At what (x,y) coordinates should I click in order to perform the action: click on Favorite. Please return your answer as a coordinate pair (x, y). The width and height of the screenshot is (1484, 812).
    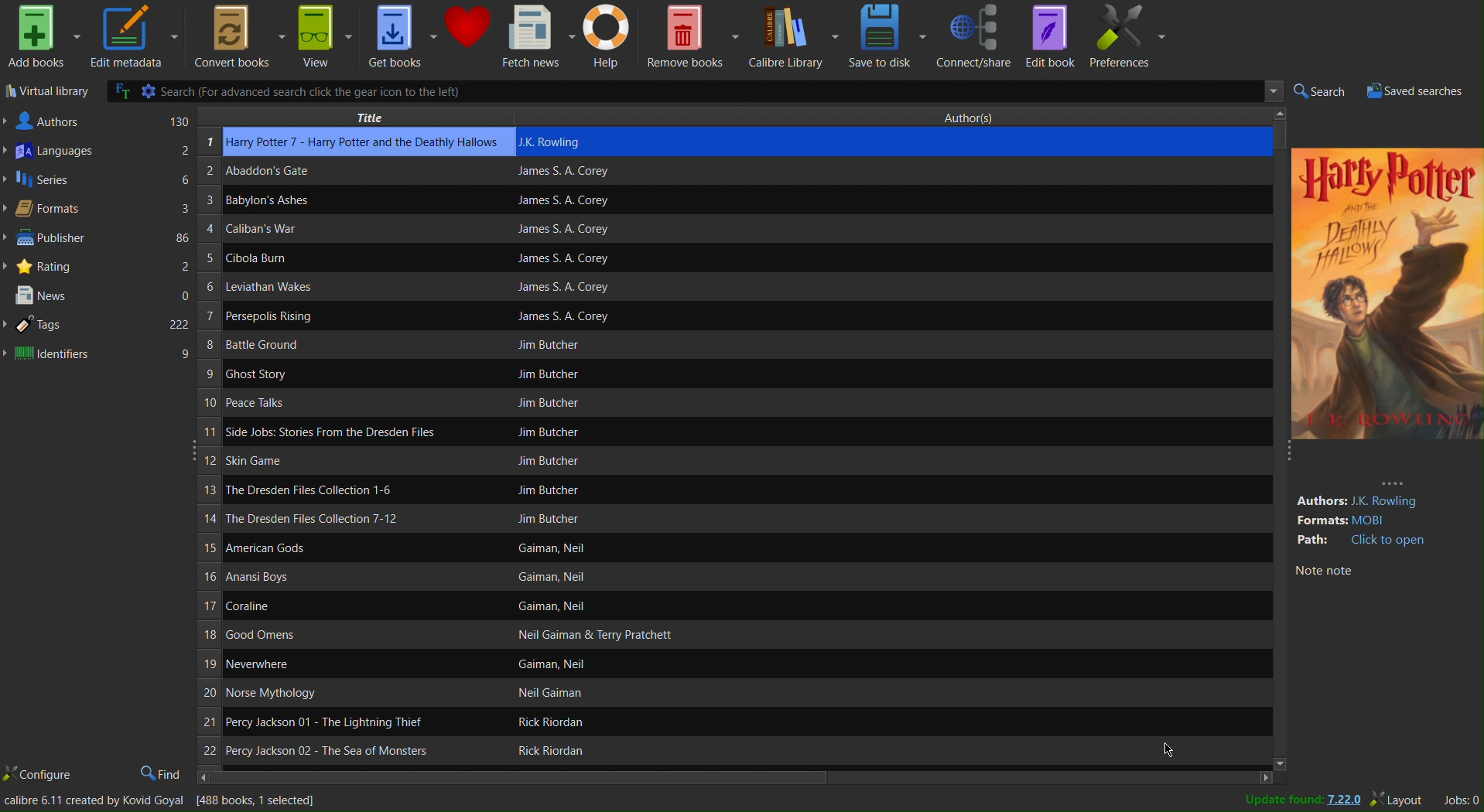
    Looking at the image, I should click on (468, 36).